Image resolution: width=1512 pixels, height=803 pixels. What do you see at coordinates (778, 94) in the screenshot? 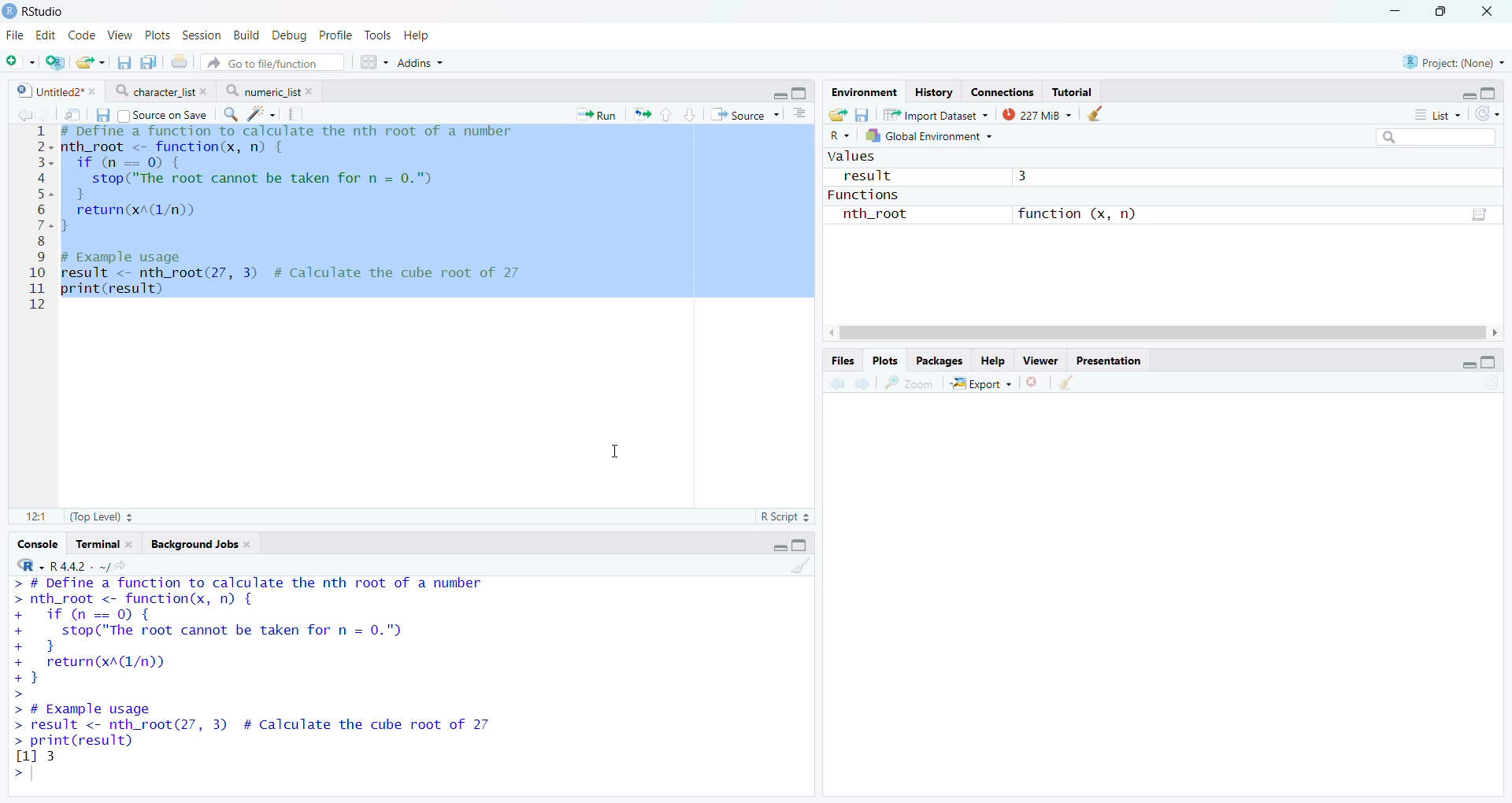
I see `Hide` at bounding box center [778, 94].